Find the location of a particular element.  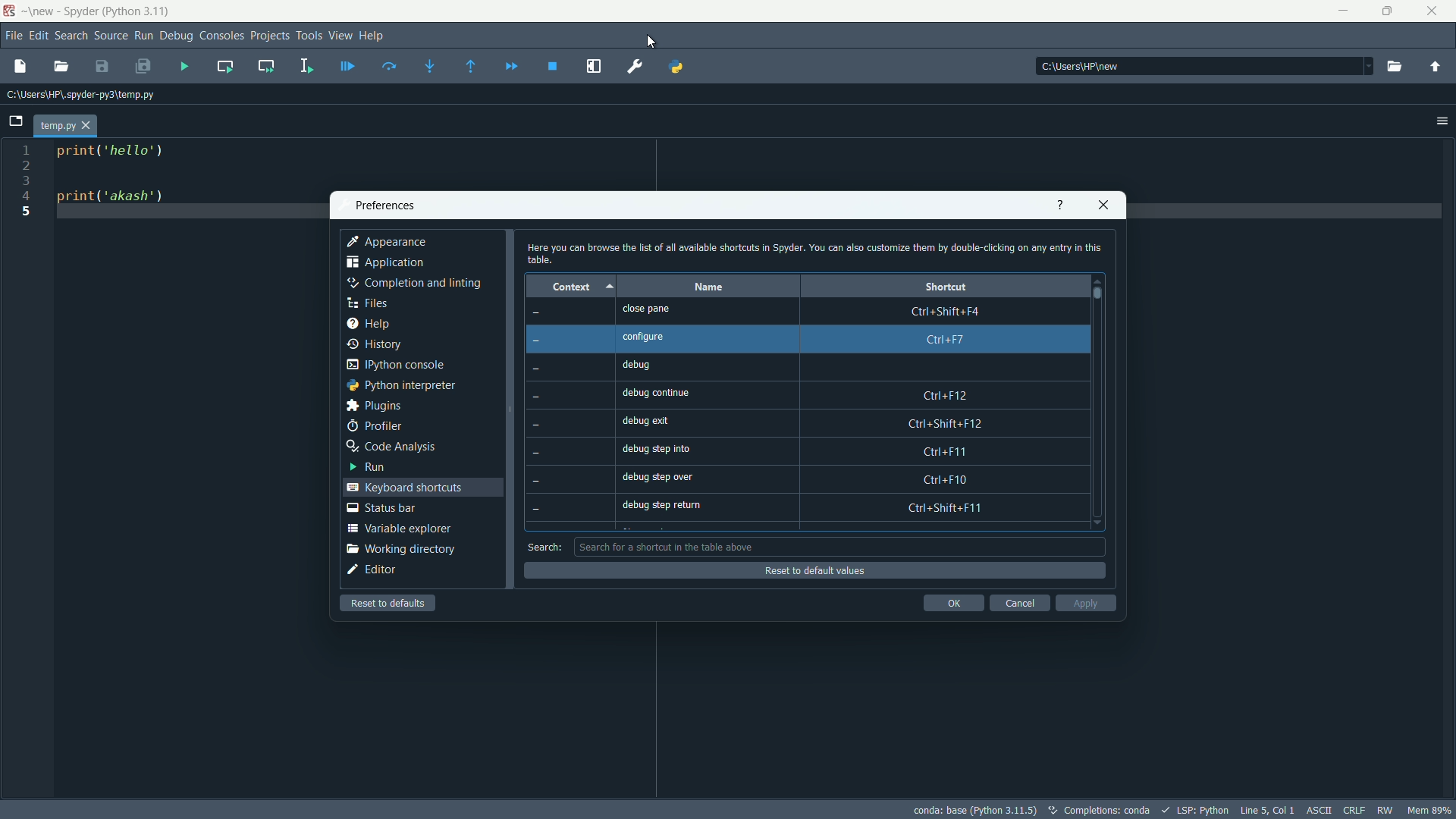

reset to default values is located at coordinates (812, 571).